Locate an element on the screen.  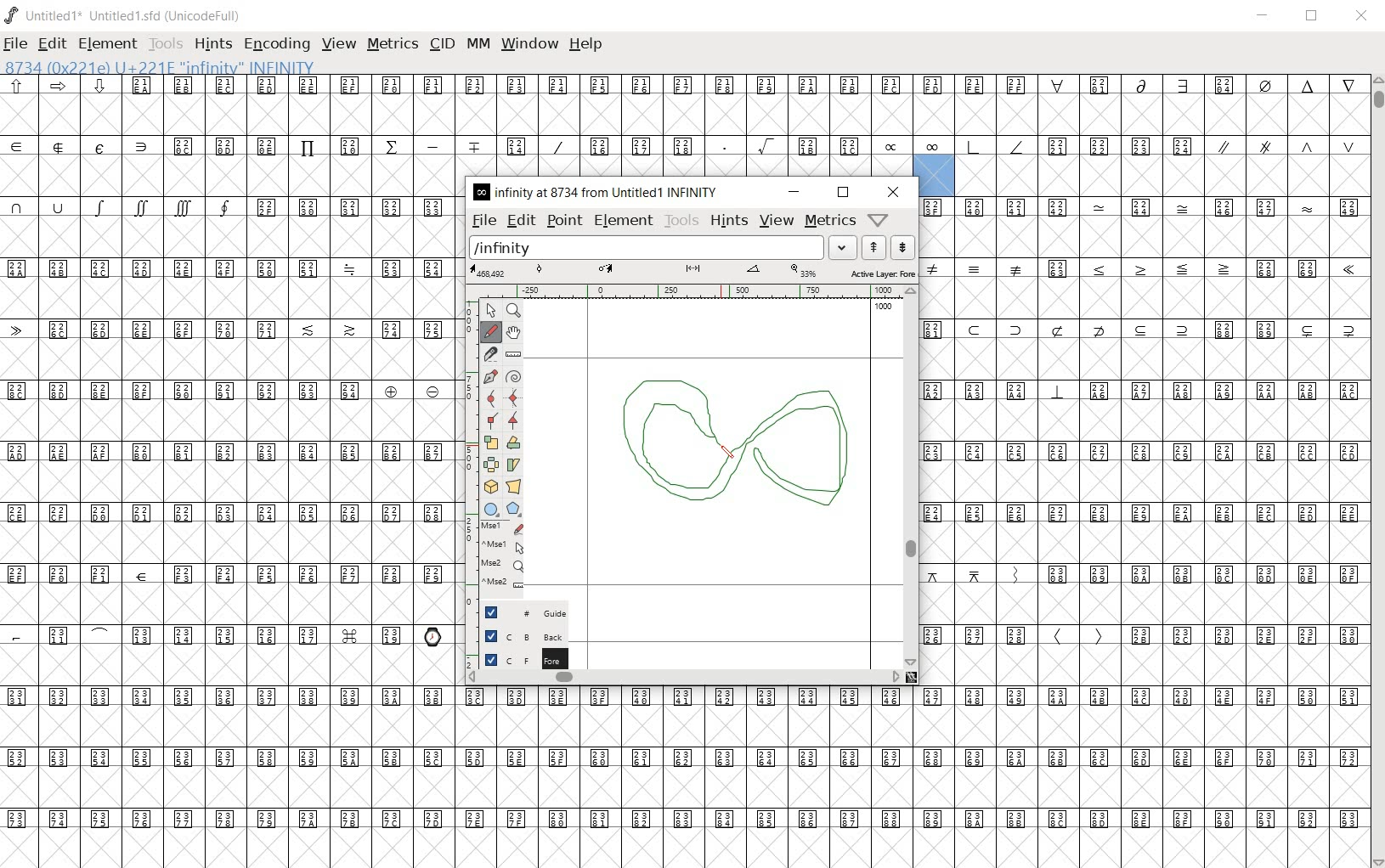
change whether spiro is active or not is located at coordinates (513, 375).